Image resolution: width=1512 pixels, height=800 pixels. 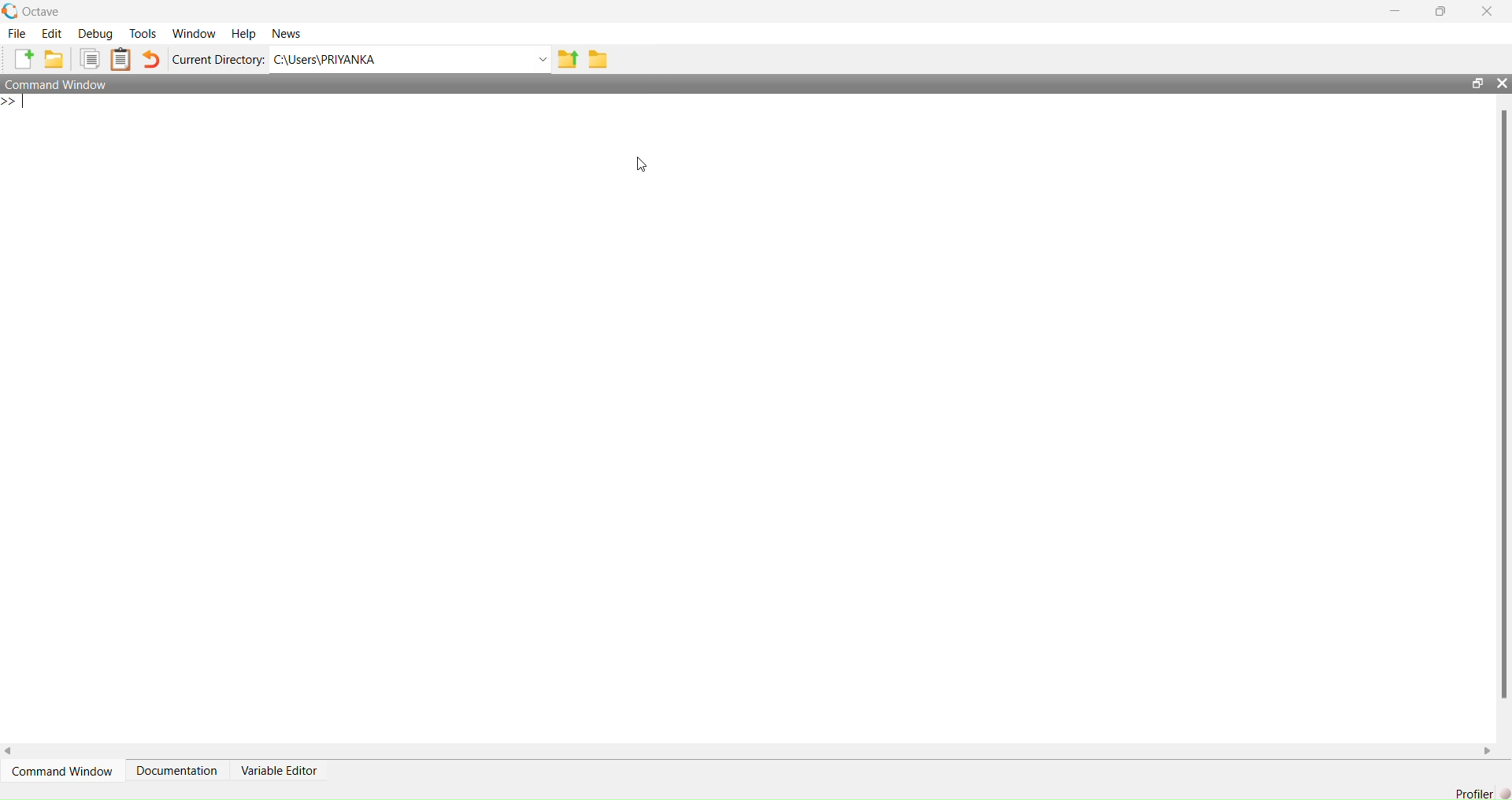 I want to click on scrollbar, so click(x=1503, y=409).